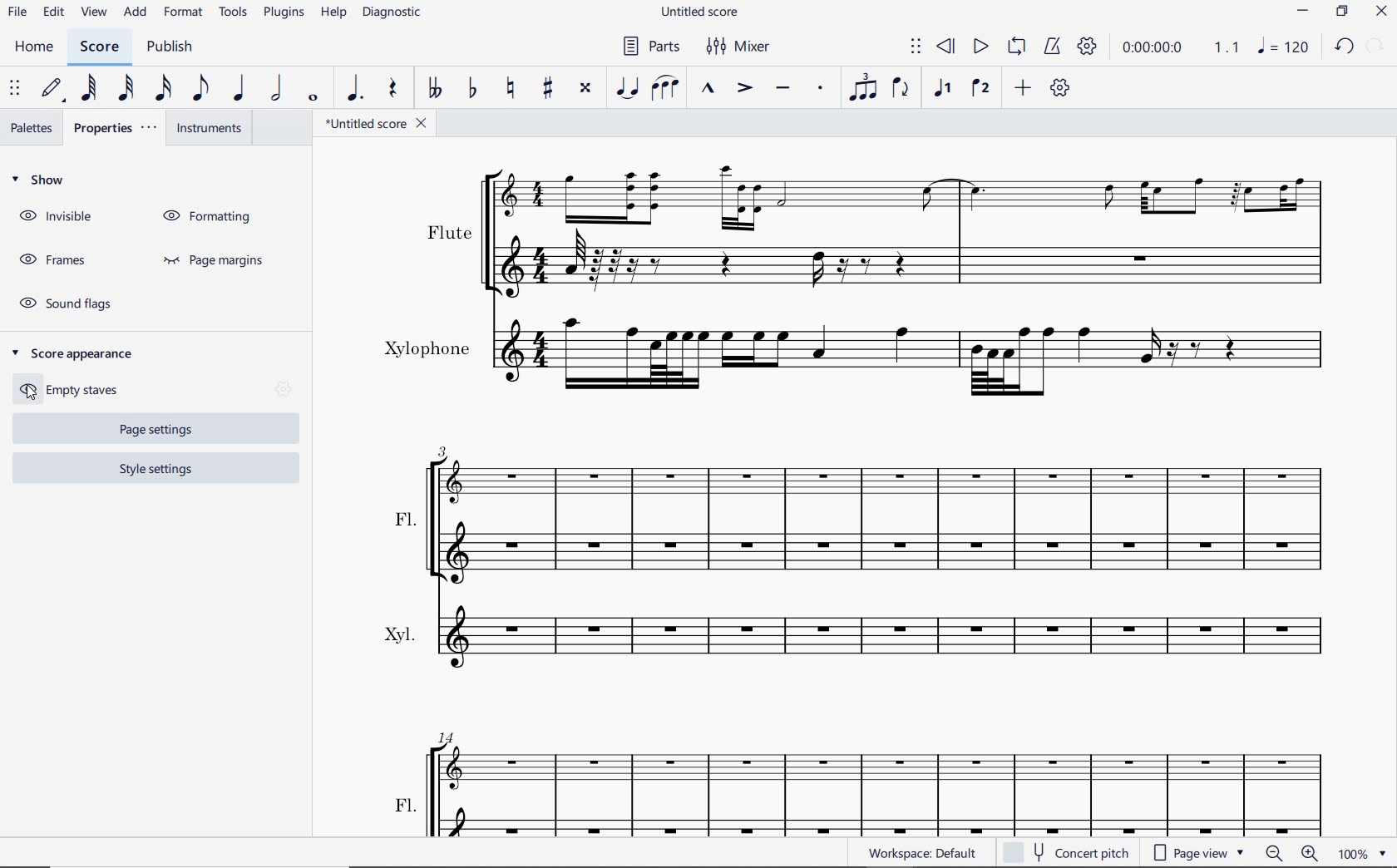 The height and width of the screenshot is (868, 1397). What do you see at coordinates (56, 218) in the screenshot?
I see `INVISIBLE` at bounding box center [56, 218].